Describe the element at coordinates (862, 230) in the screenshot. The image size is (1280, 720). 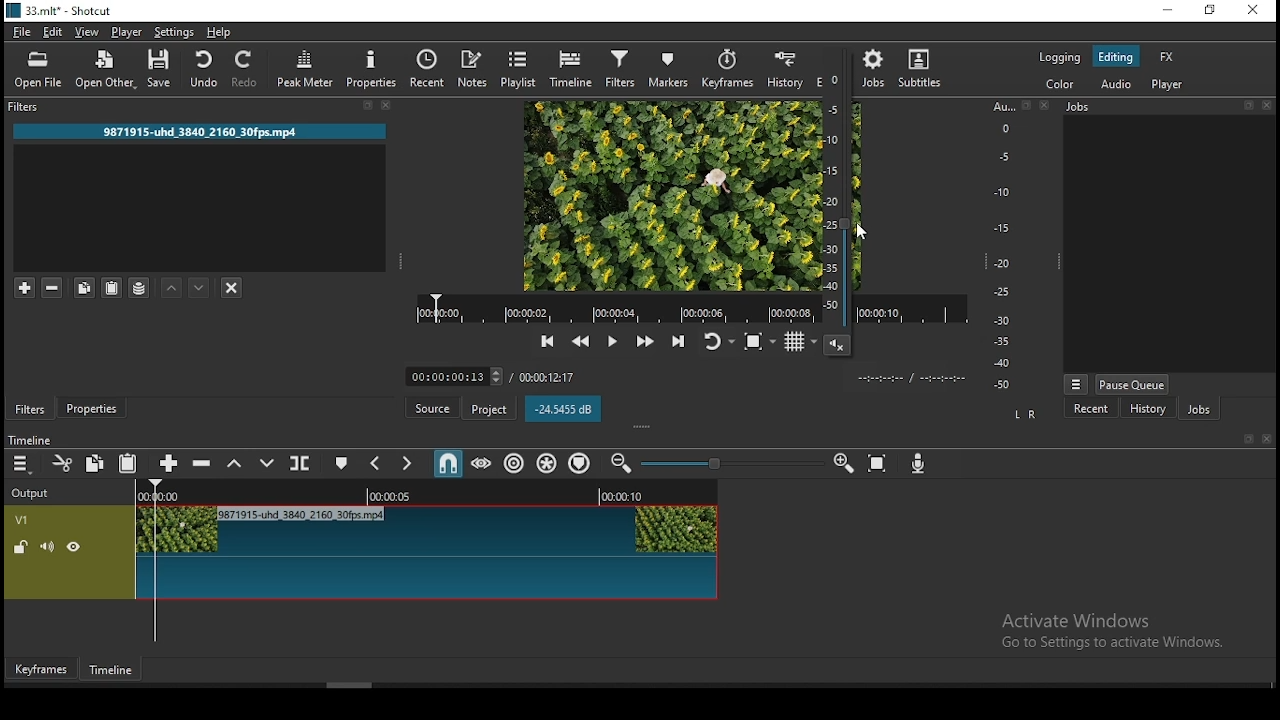
I see `DRAG_TO Cursor Position` at that location.